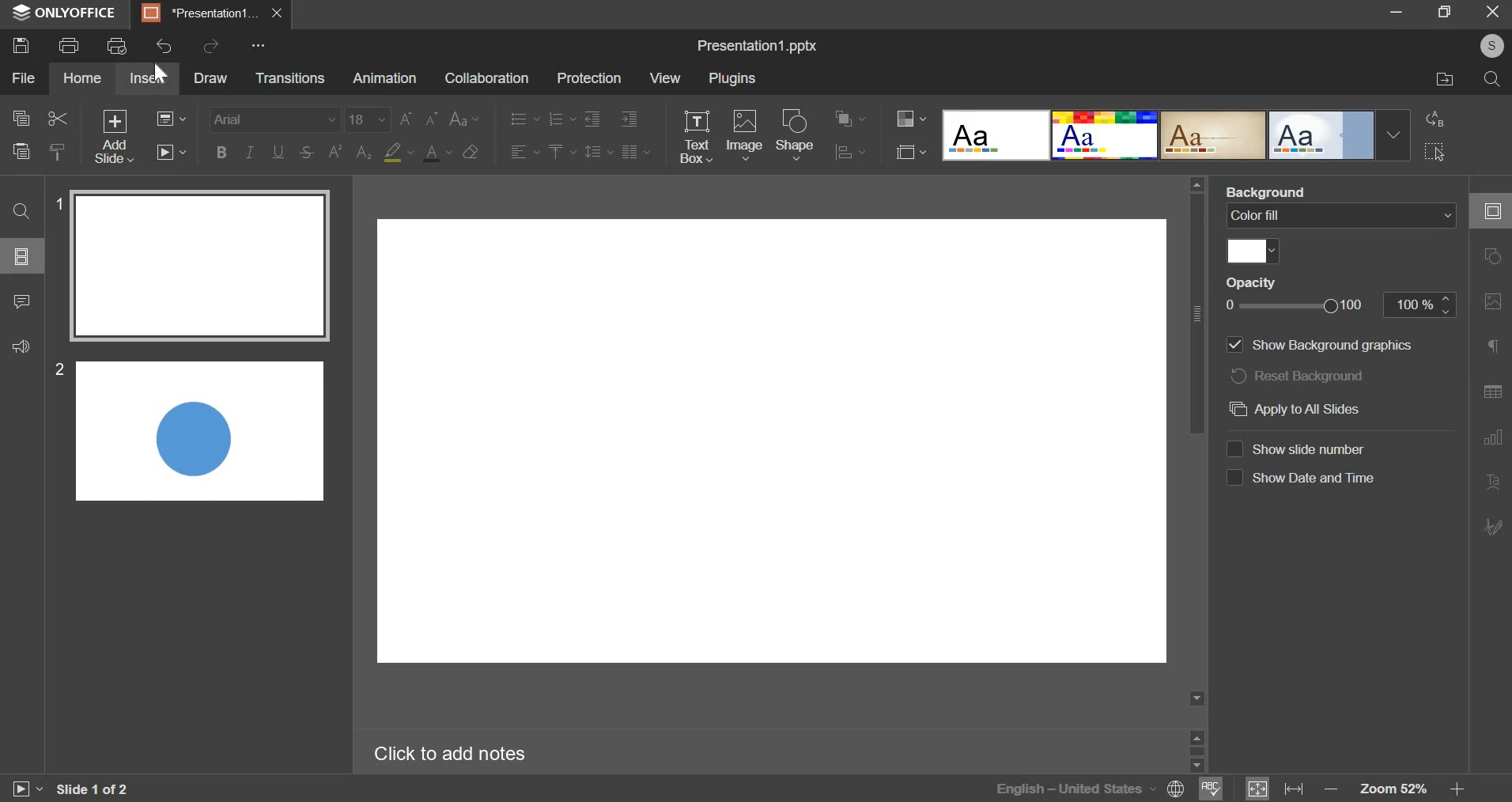 This screenshot has width=1512, height=802. I want to click on show background graphics, so click(1314, 346).